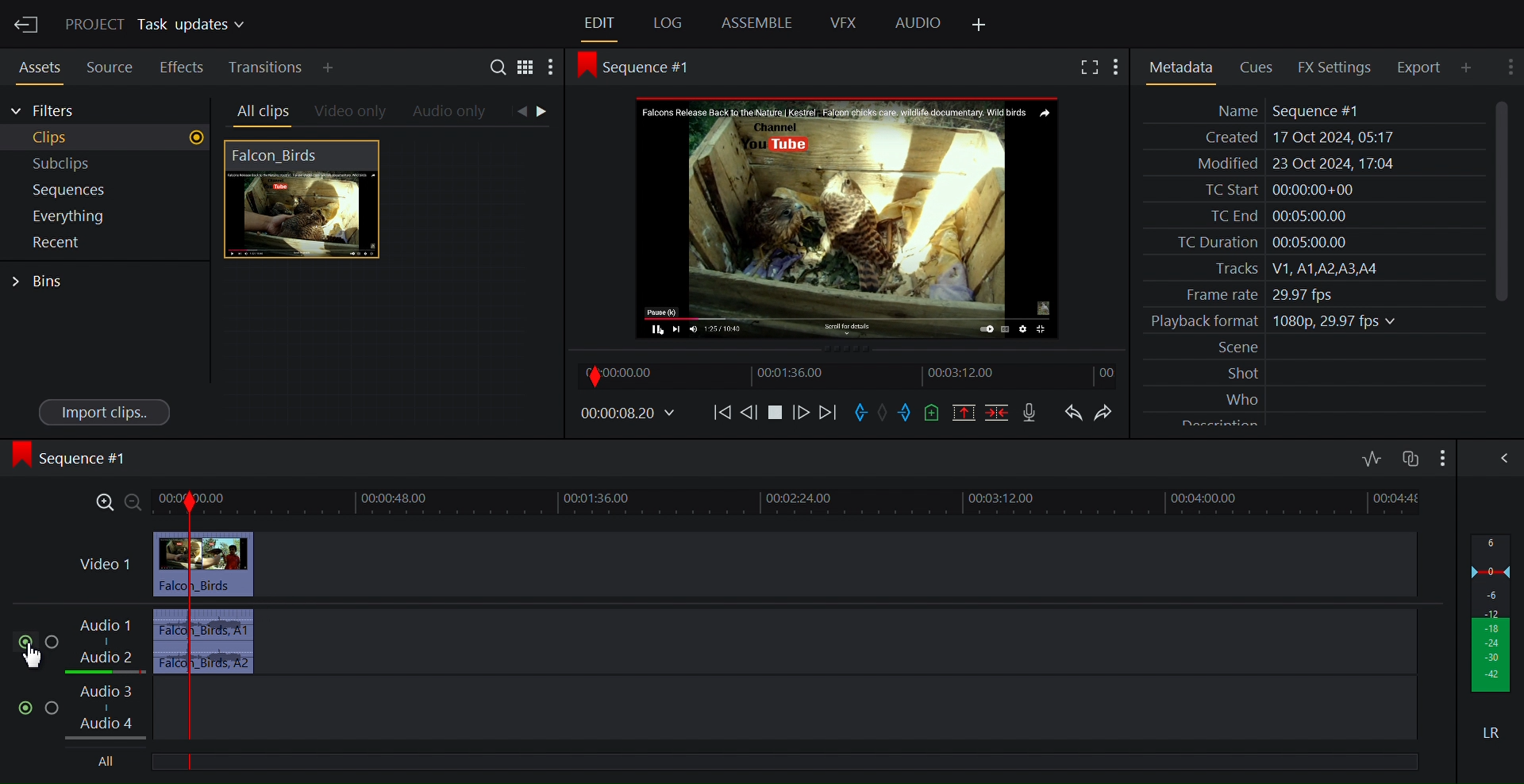  What do you see at coordinates (1372, 456) in the screenshot?
I see `Toggle audio levels editing` at bounding box center [1372, 456].